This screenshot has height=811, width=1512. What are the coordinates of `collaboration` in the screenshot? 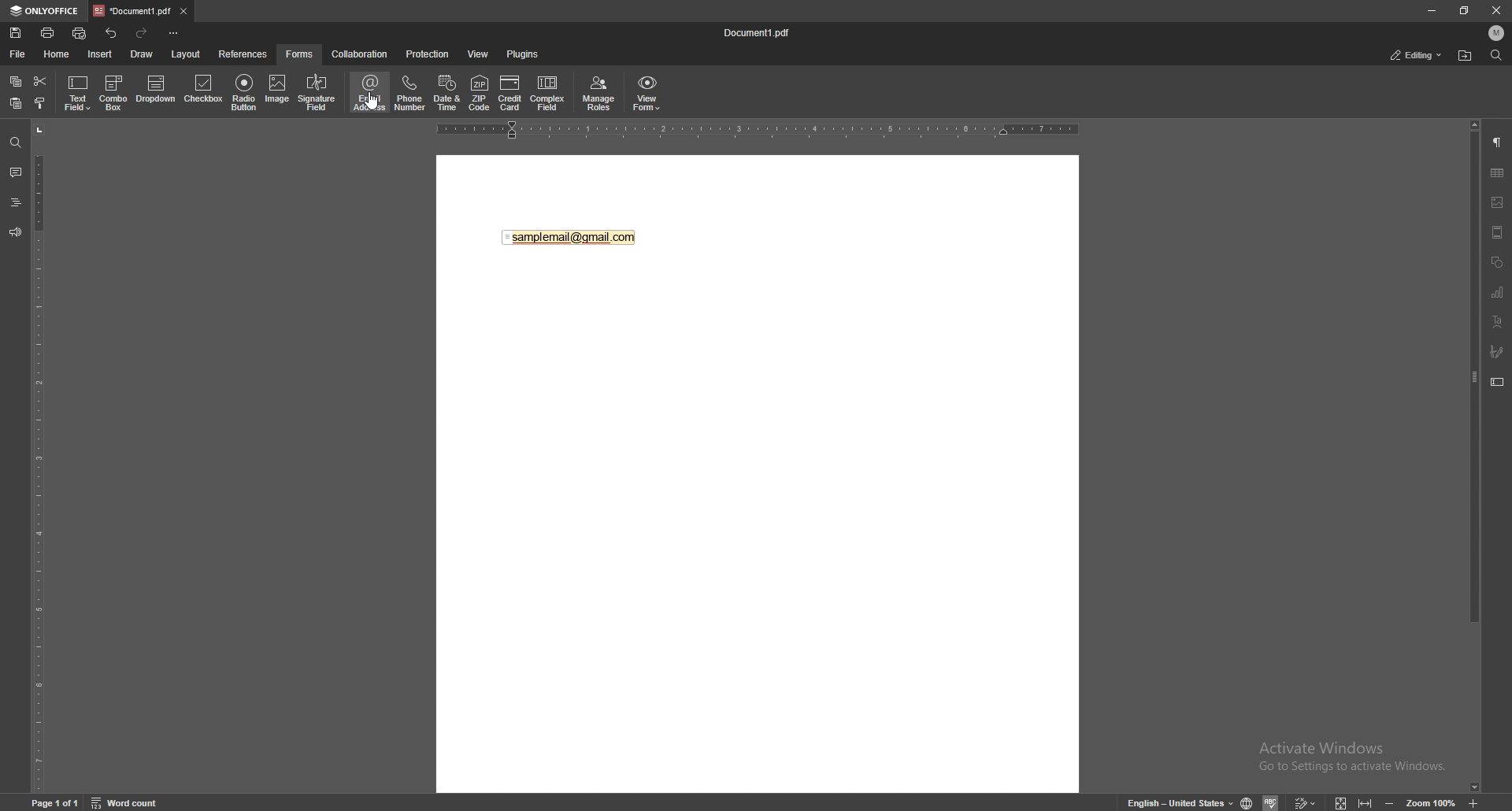 It's located at (360, 54).